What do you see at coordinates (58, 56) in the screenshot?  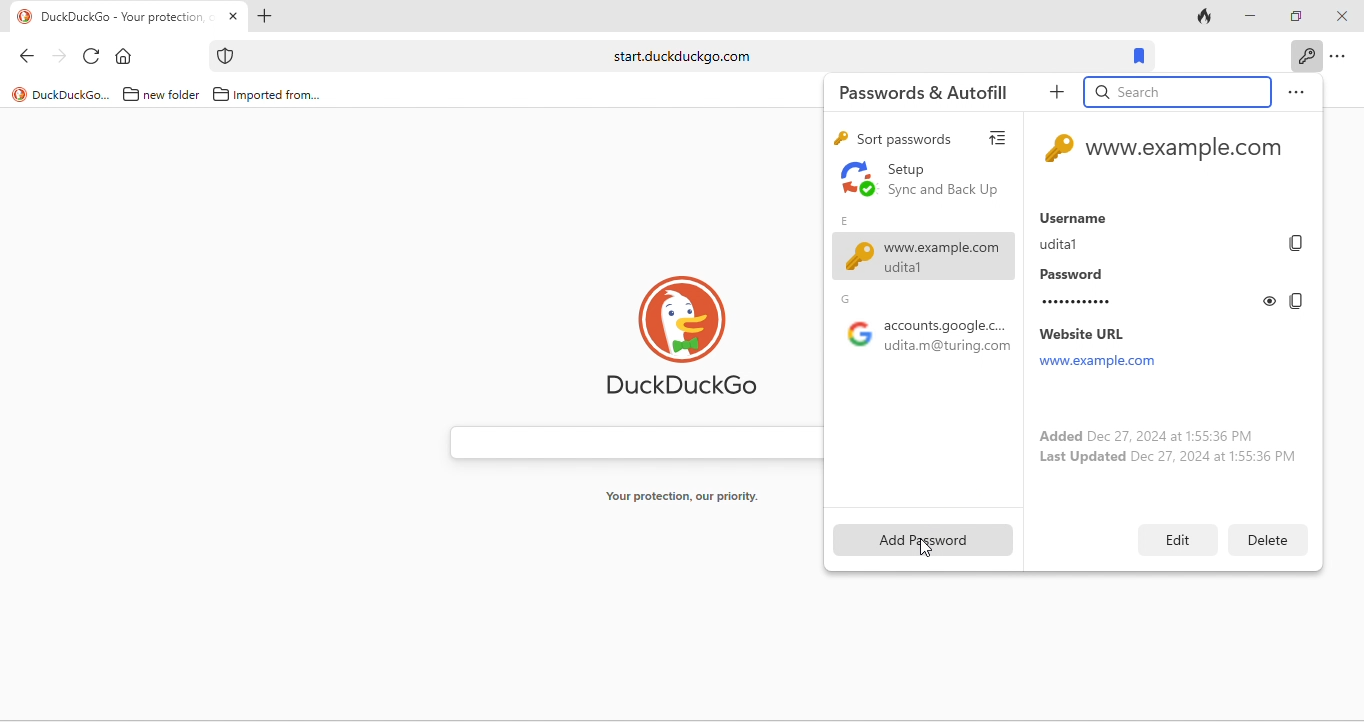 I see `forward` at bounding box center [58, 56].